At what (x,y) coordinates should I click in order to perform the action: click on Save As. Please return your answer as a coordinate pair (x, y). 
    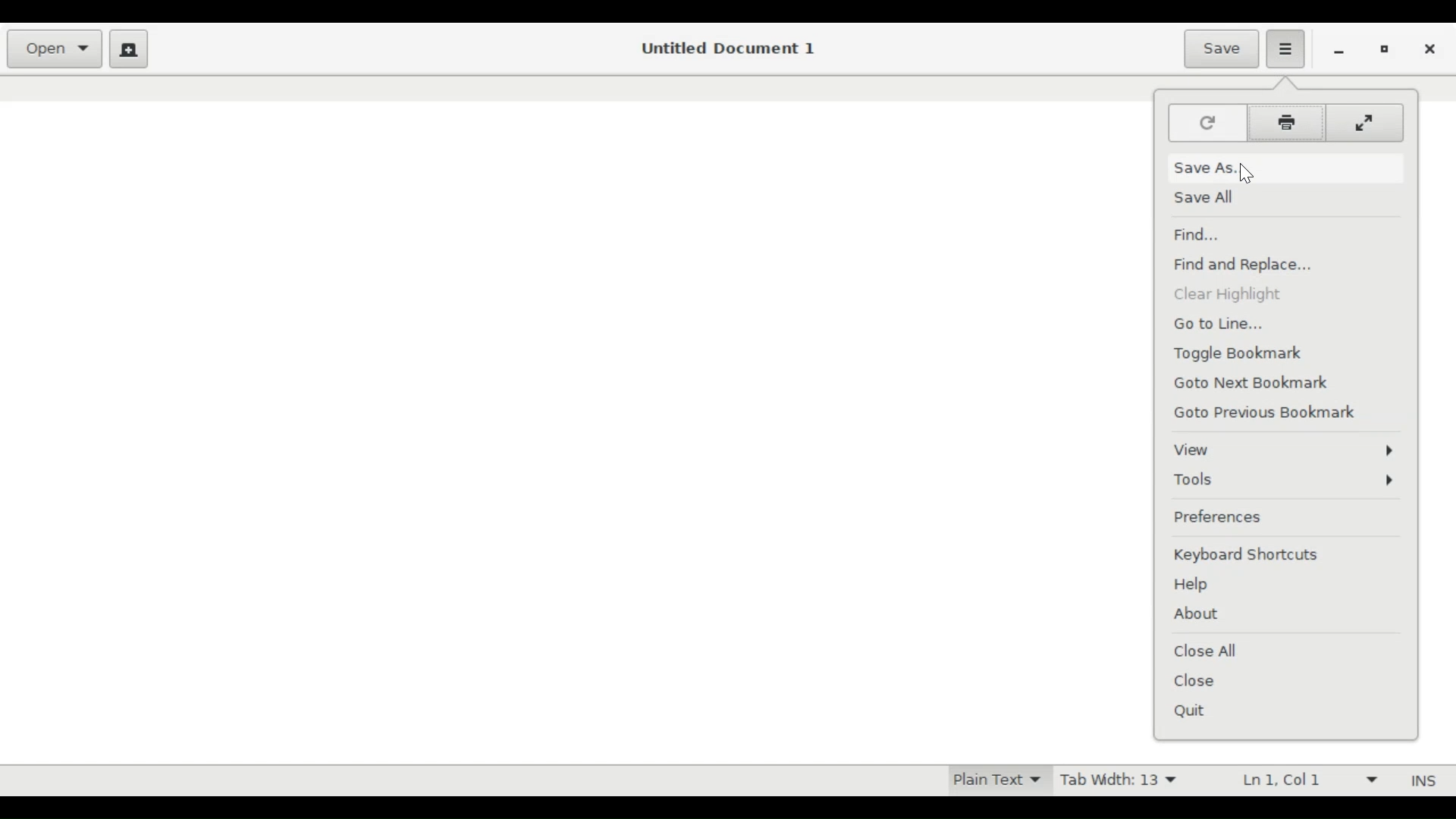
    Looking at the image, I should click on (1204, 166).